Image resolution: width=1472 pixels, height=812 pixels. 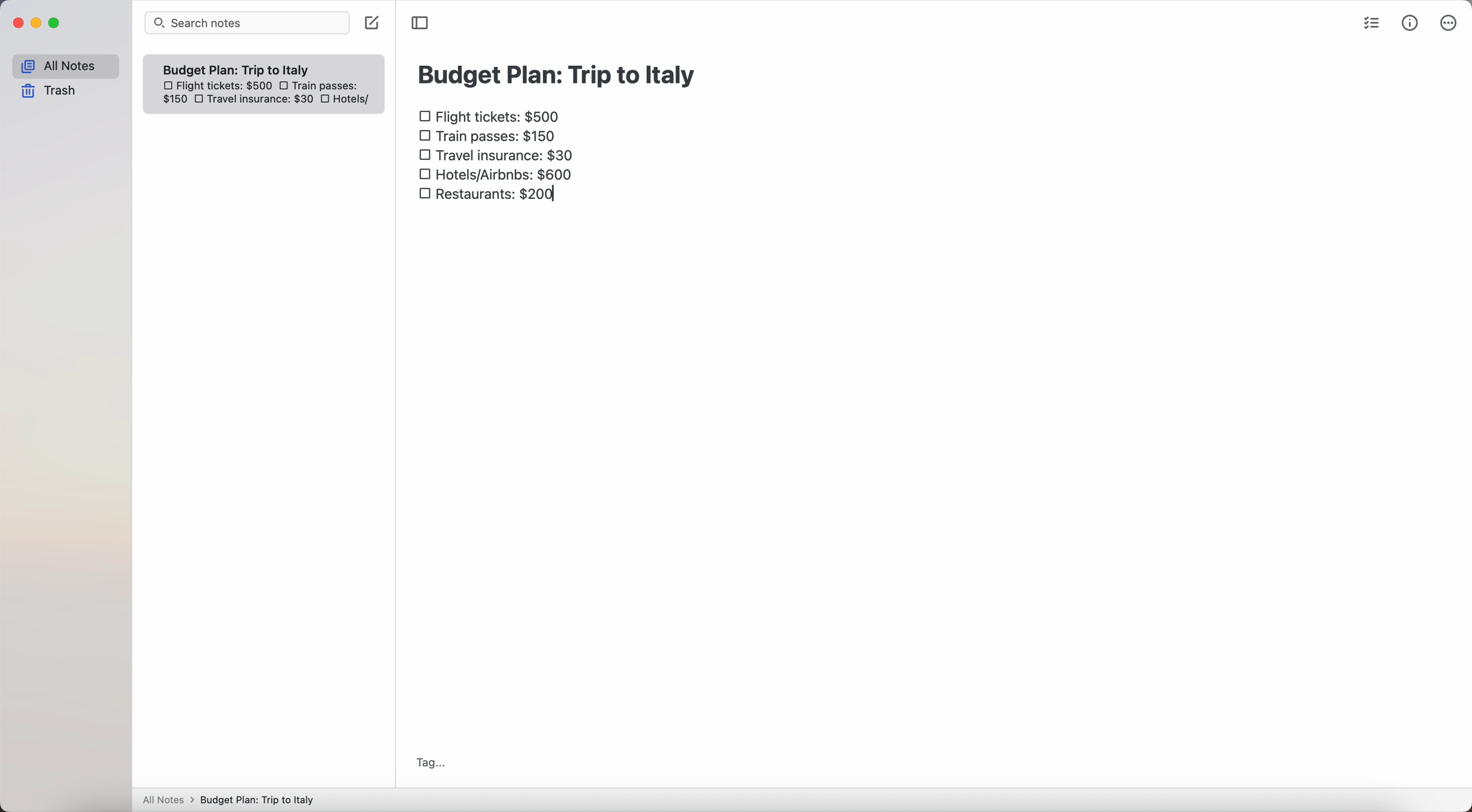 I want to click on checkbox, so click(x=329, y=100).